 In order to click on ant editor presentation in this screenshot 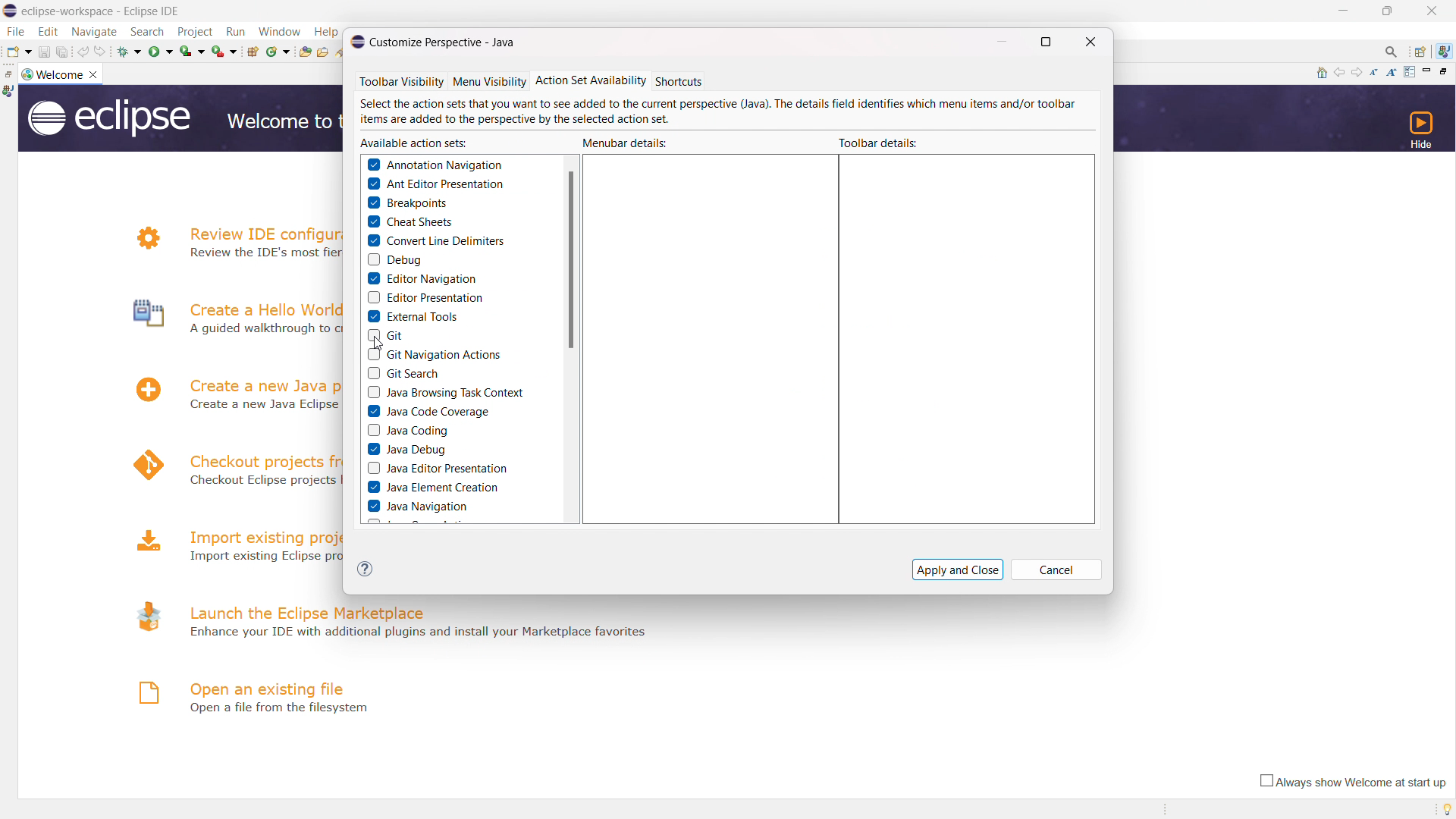, I will do `click(435, 184)`.